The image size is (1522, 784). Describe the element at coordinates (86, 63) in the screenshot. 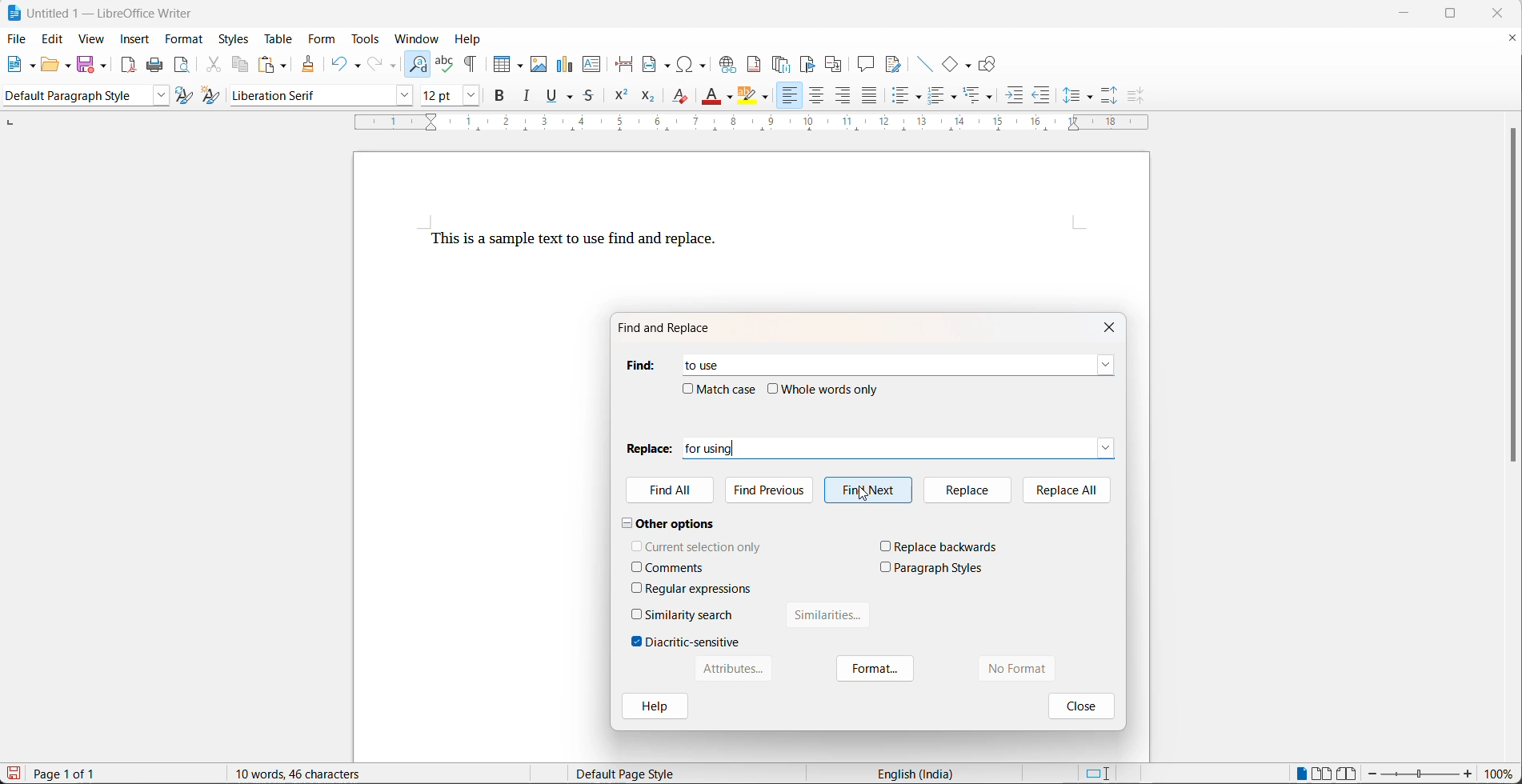

I see `save` at that location.